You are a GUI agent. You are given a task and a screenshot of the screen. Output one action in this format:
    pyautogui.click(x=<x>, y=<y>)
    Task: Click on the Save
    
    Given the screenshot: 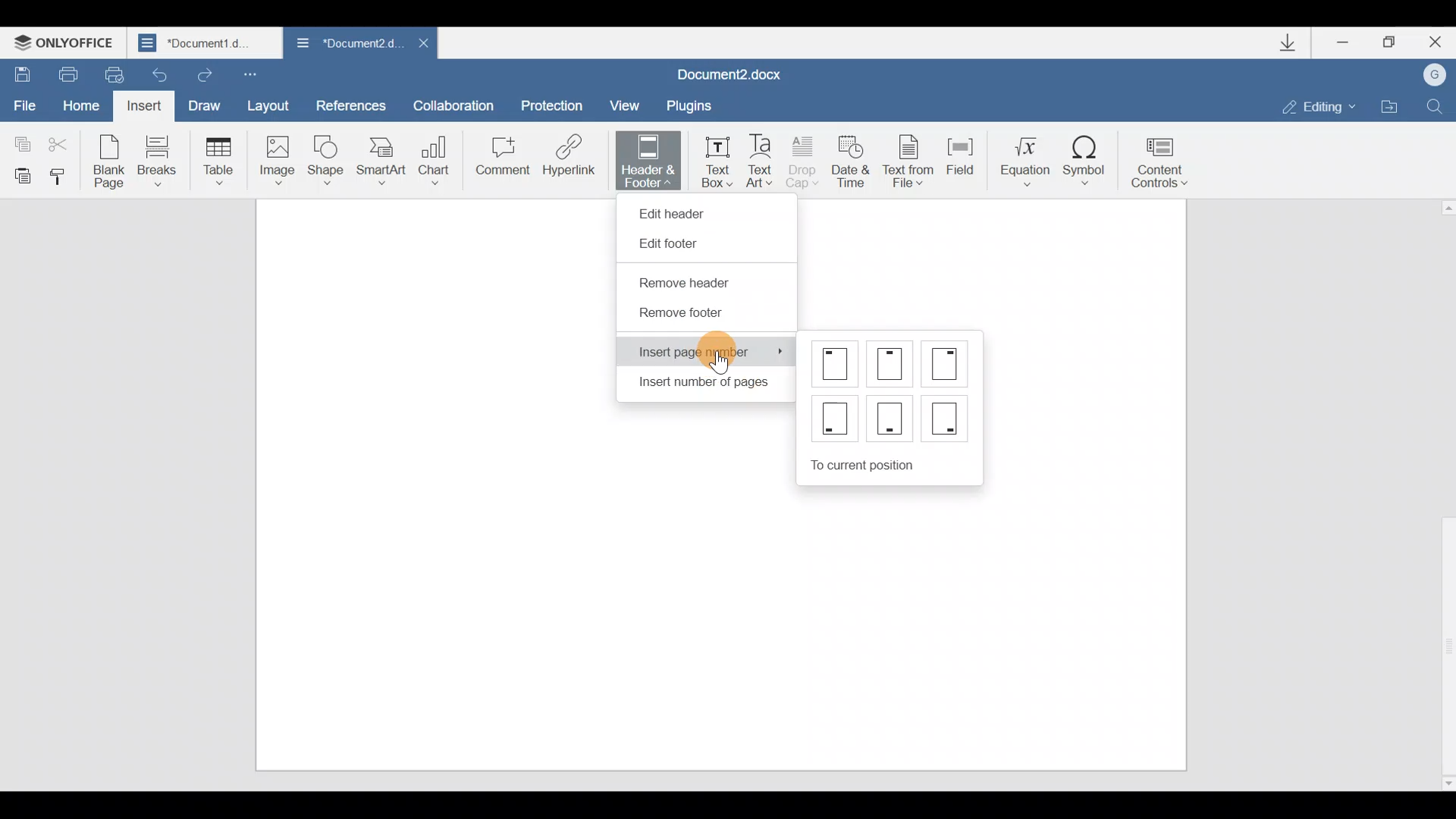 What is the action you would take?
    pyautogui.click(x=21, y=74)
    